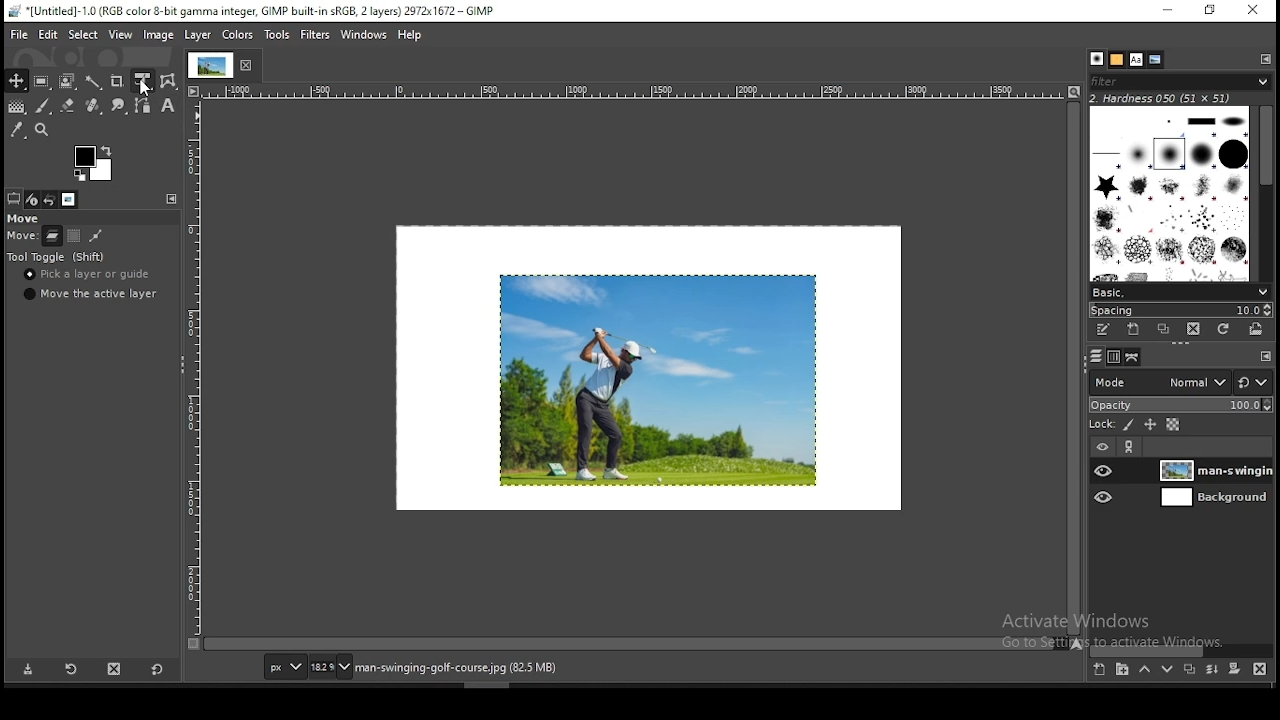 The image size is (1280, 720). Describe the element at coordinates (1181, 406) in the screenshot. I see `opacity` at that location.